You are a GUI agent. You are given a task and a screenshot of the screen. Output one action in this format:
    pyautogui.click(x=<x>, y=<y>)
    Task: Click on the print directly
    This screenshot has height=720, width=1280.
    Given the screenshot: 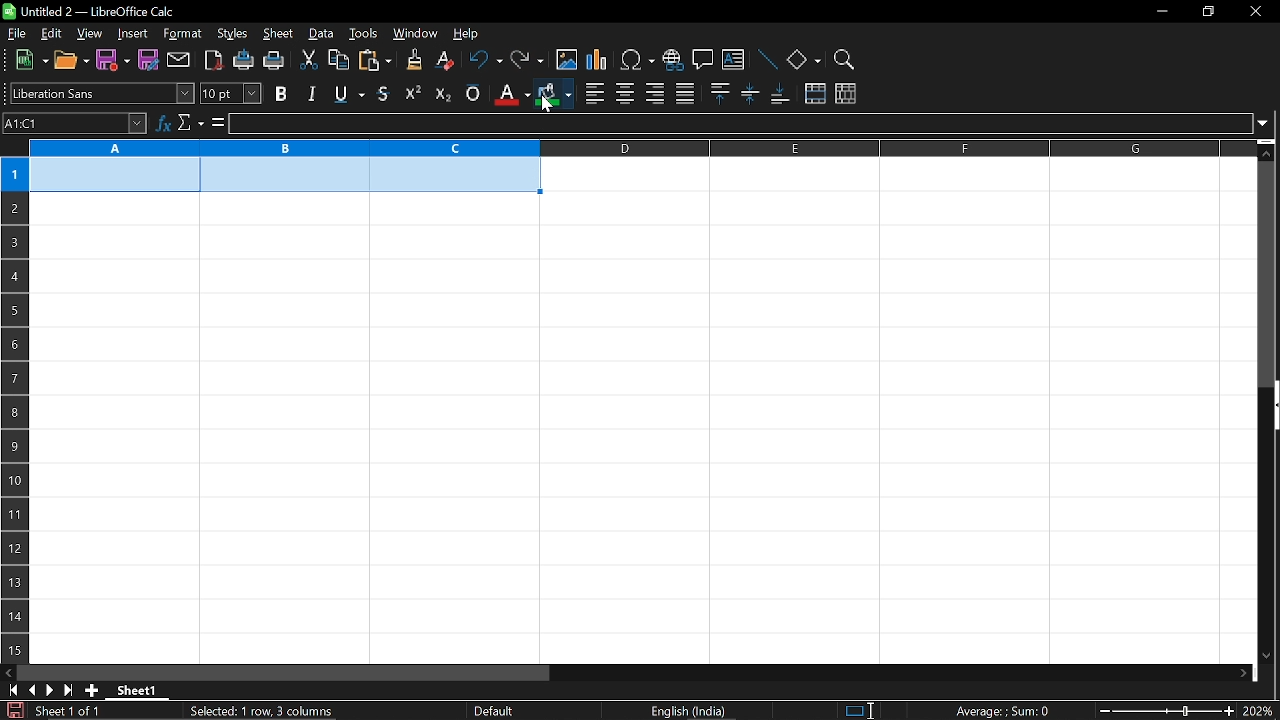 What is the action you would take?
    pyautogui.click(x=242, y=61)
    